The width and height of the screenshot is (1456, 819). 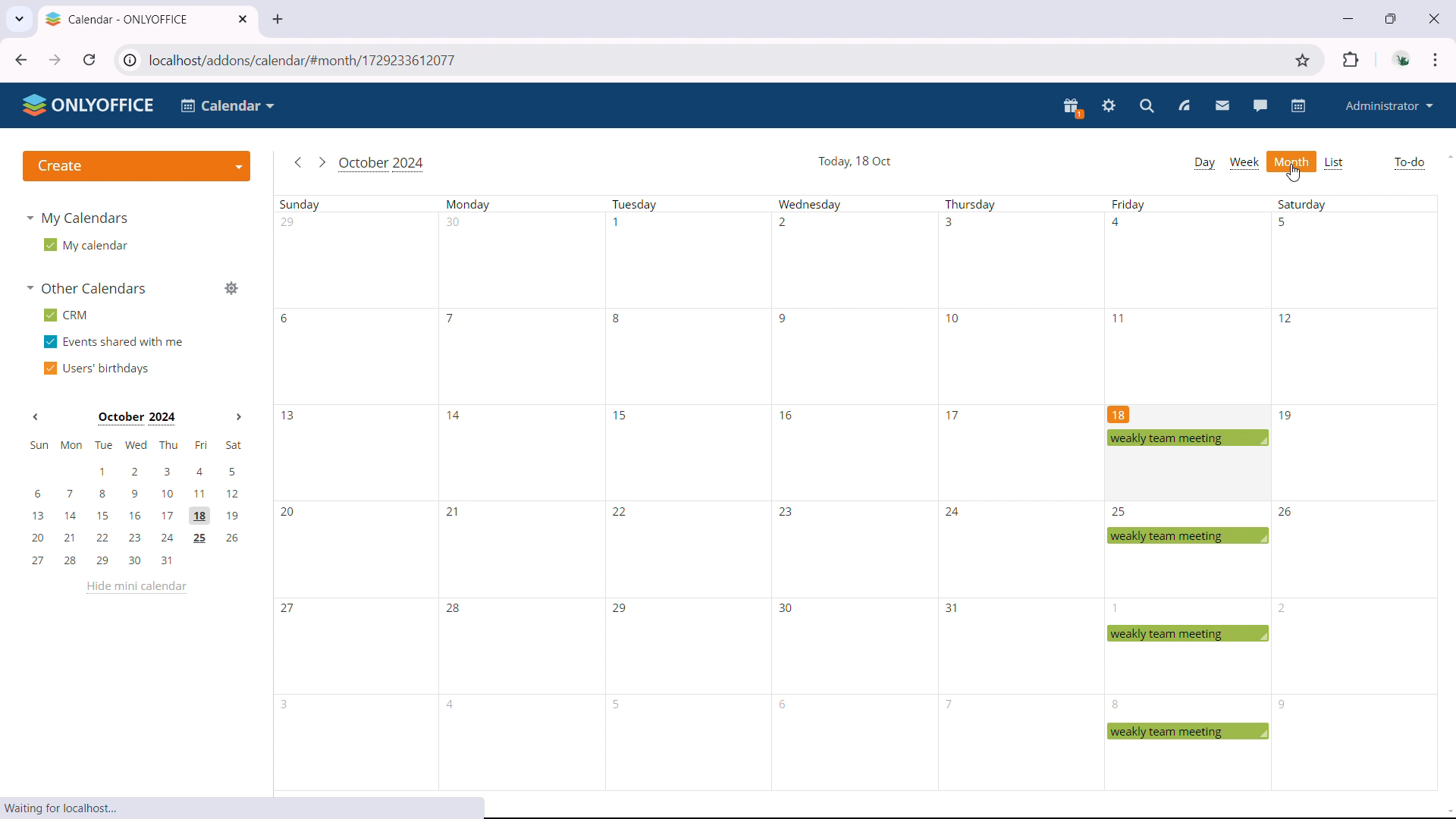 I want to click on go to previous month, so click(x=299, y=162).